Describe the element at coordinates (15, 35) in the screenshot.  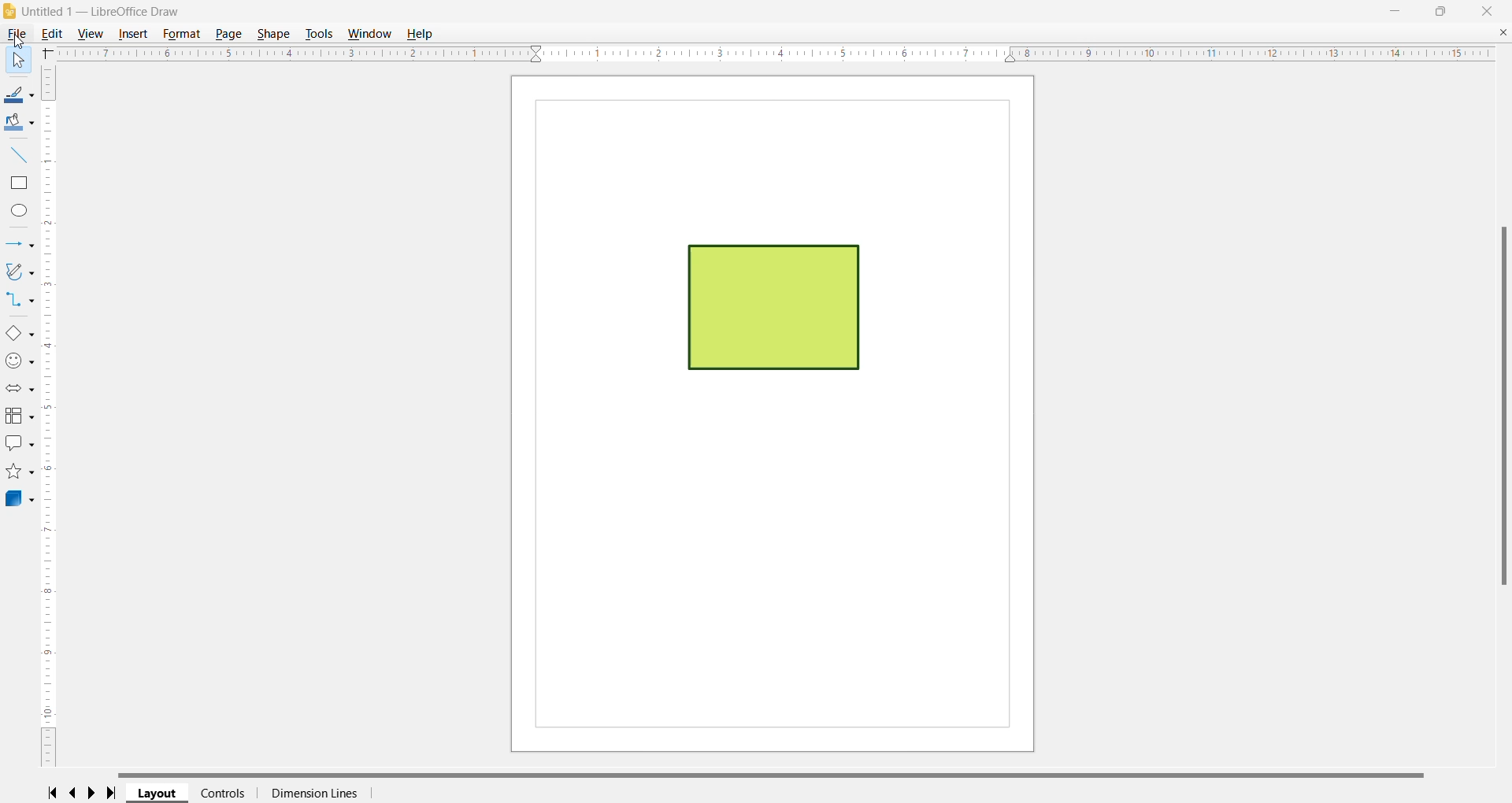
I see `File` at that location.